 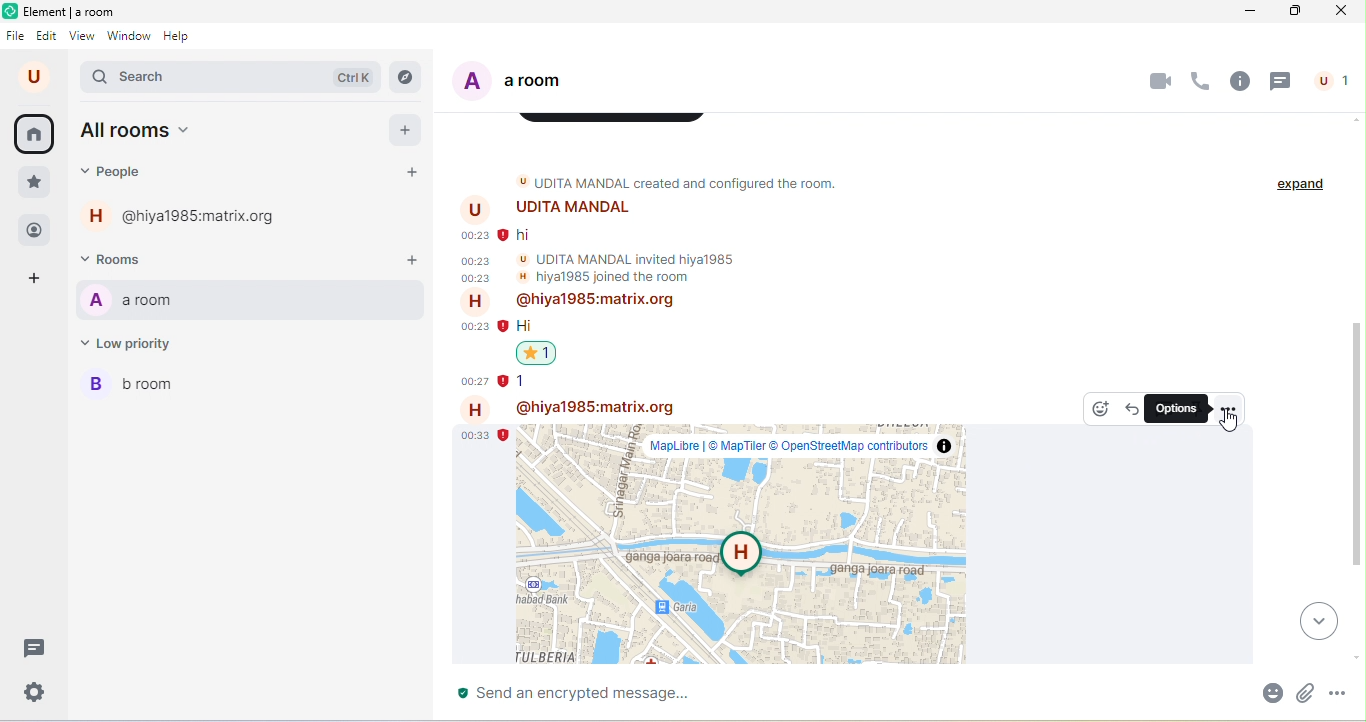 I want to click on sccroll down, so click(x=1357, y=659).